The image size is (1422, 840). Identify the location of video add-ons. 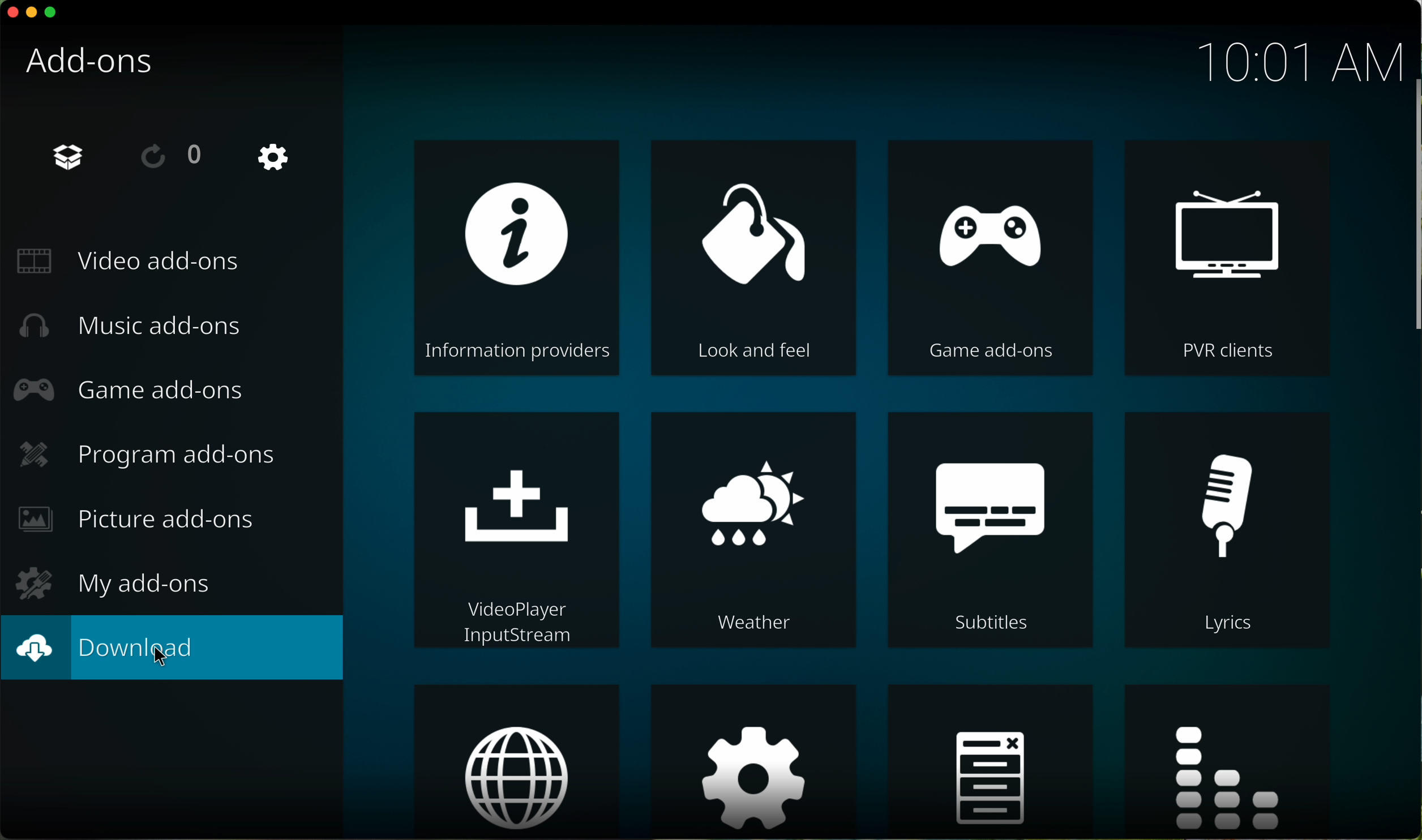
(134, 260).